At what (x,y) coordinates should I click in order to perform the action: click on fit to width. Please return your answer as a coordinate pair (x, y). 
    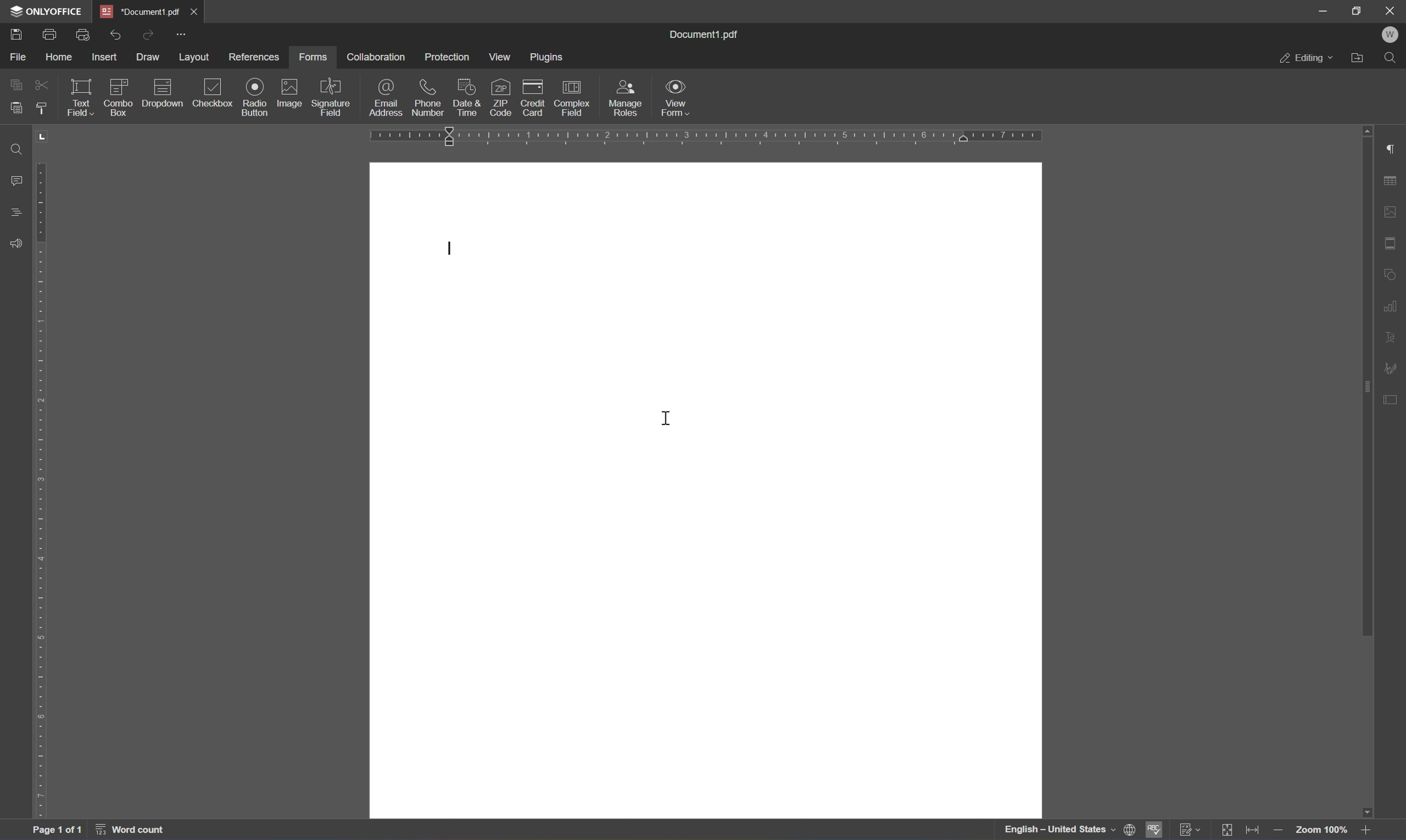
    Looking at the image, I should click on (1258, 830).